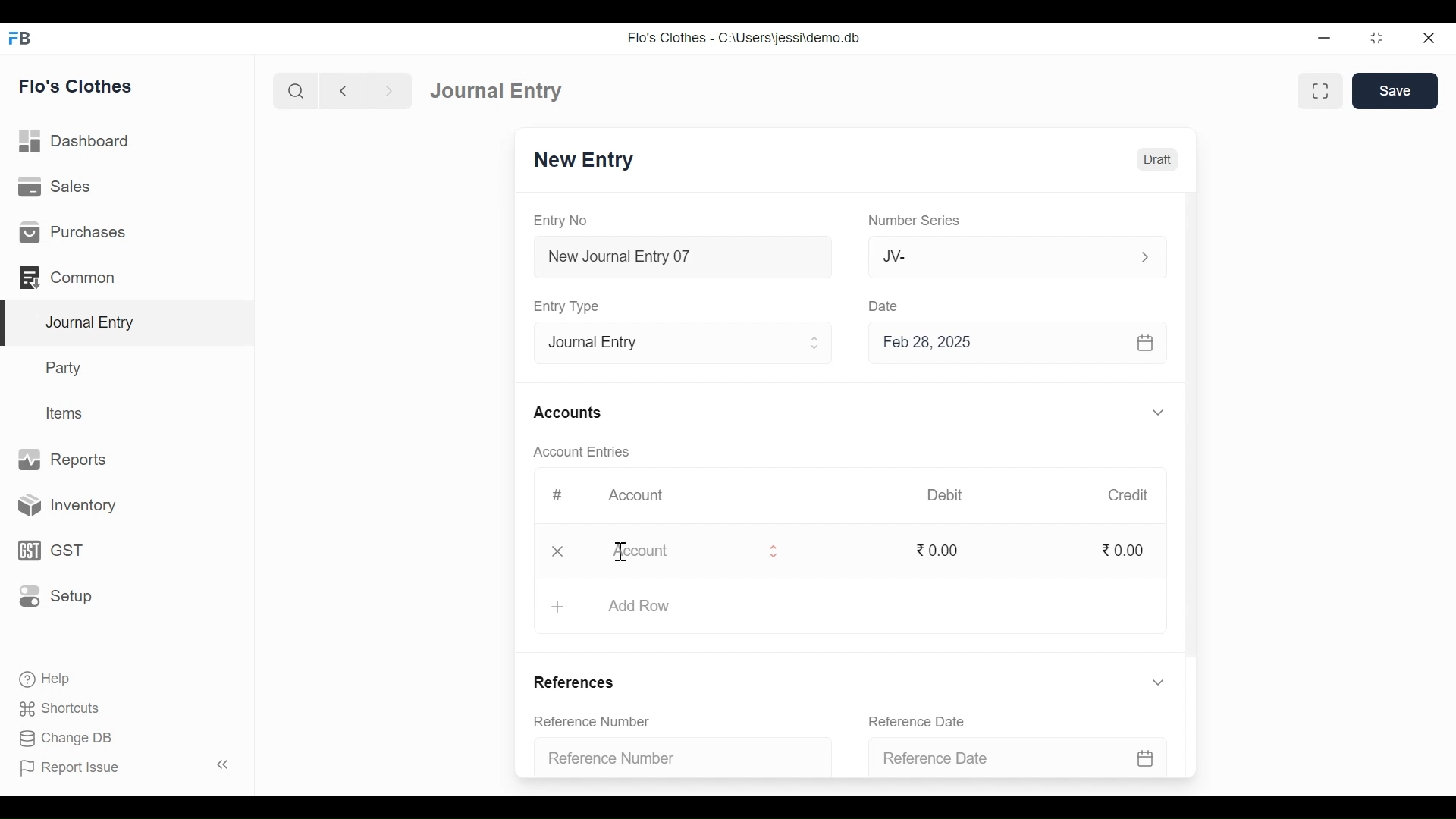 This screenshot has height=819, width=1456. Describe the element at coordinates (1376, 38) in the screenshot. I see `Restore` at that location.